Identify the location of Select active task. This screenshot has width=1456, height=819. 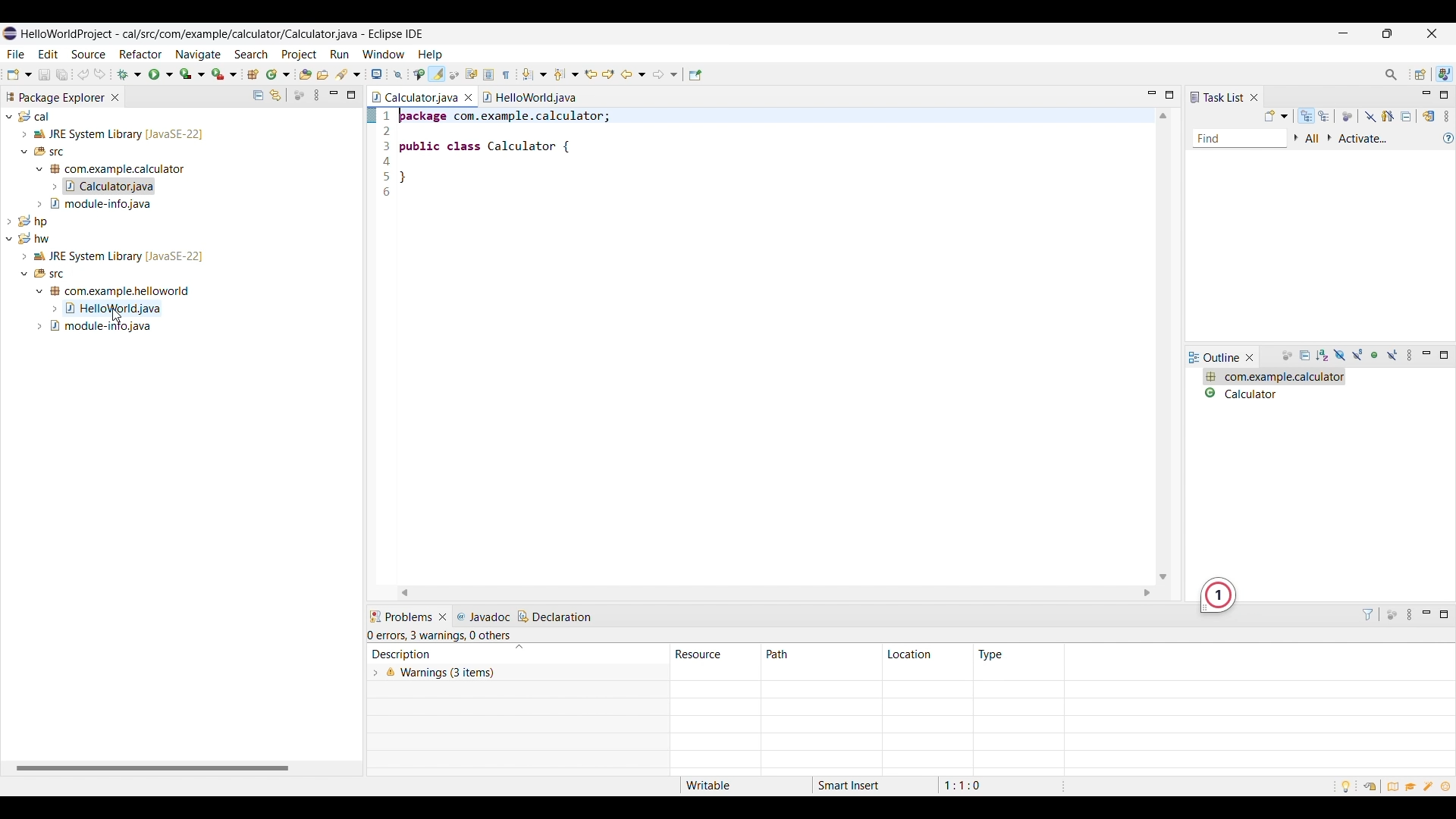
(1330, 138).